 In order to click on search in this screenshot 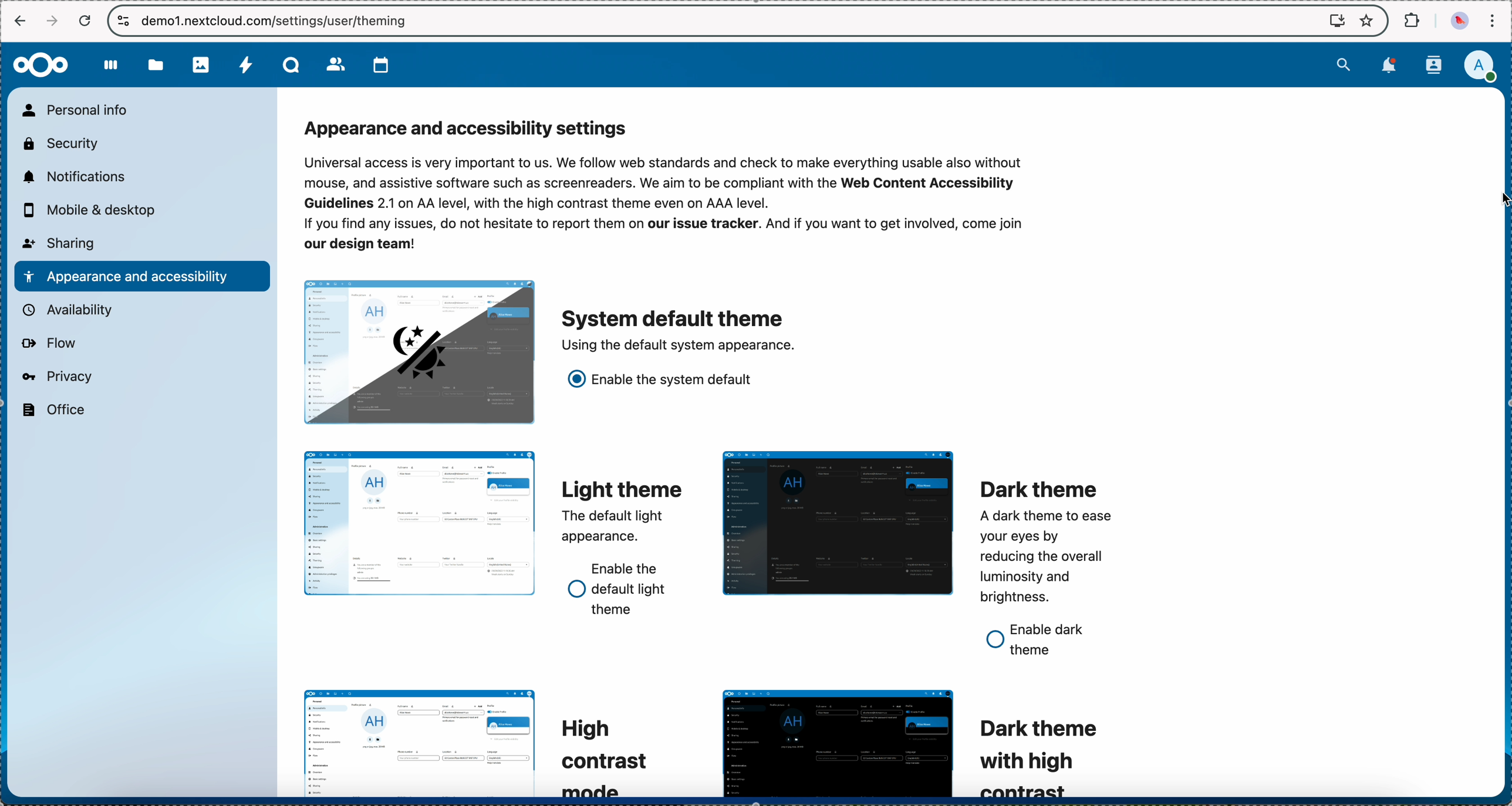, I will do `click(1341, 66)`.